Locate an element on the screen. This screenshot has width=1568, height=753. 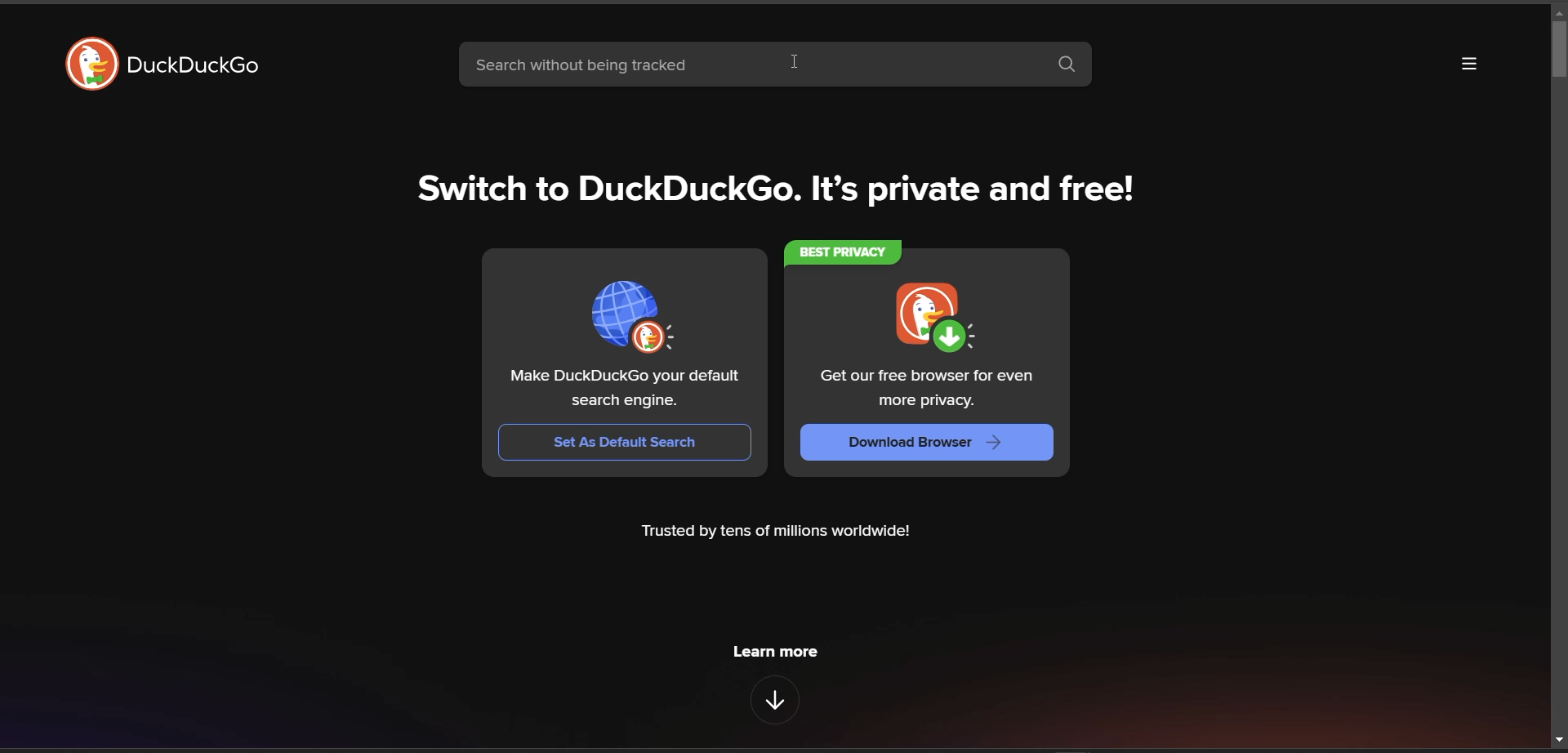
cursor is located at coordinates (791, 62).